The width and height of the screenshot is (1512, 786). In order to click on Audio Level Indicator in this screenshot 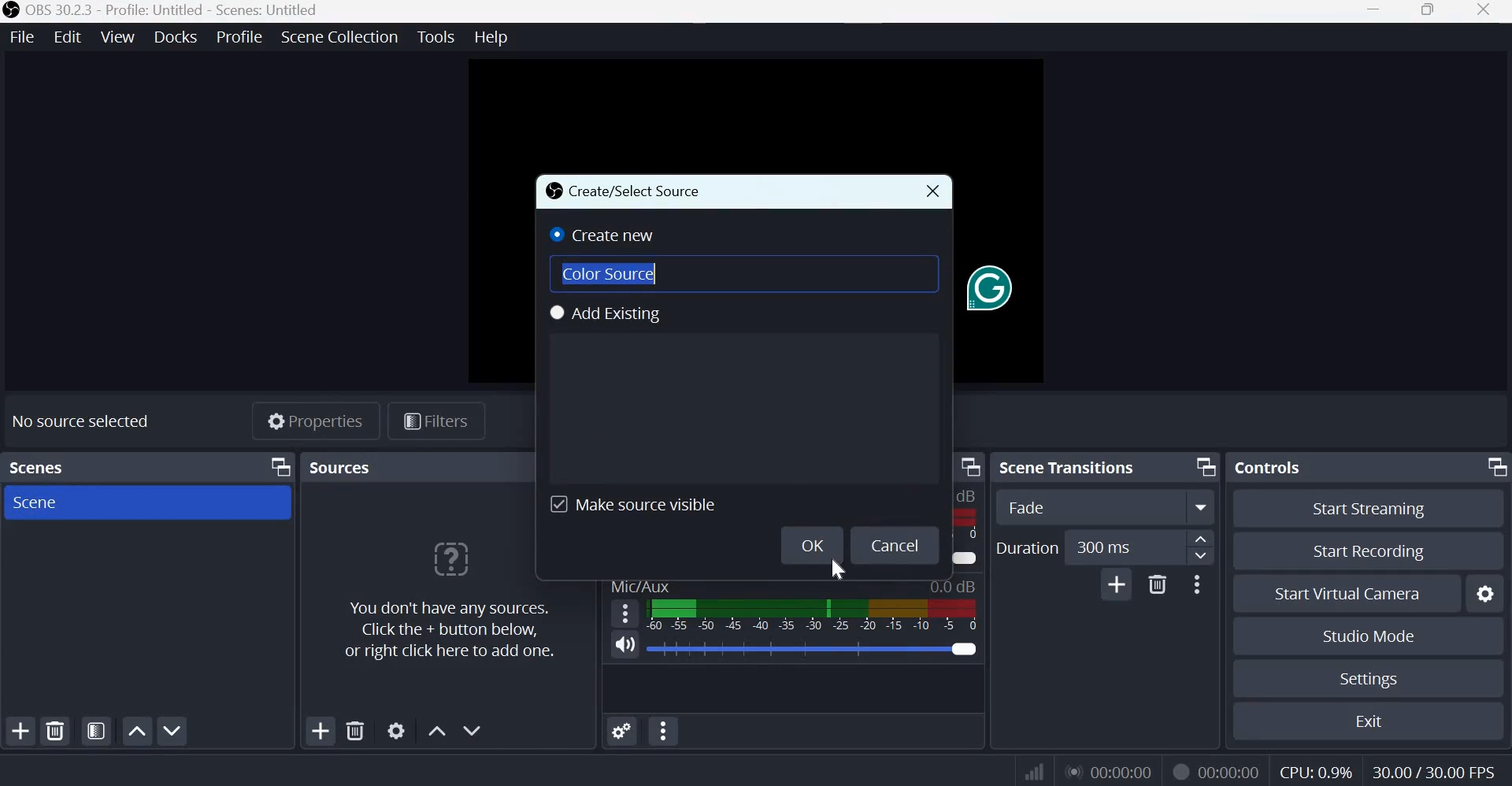, I will do `click(953, 586)`.